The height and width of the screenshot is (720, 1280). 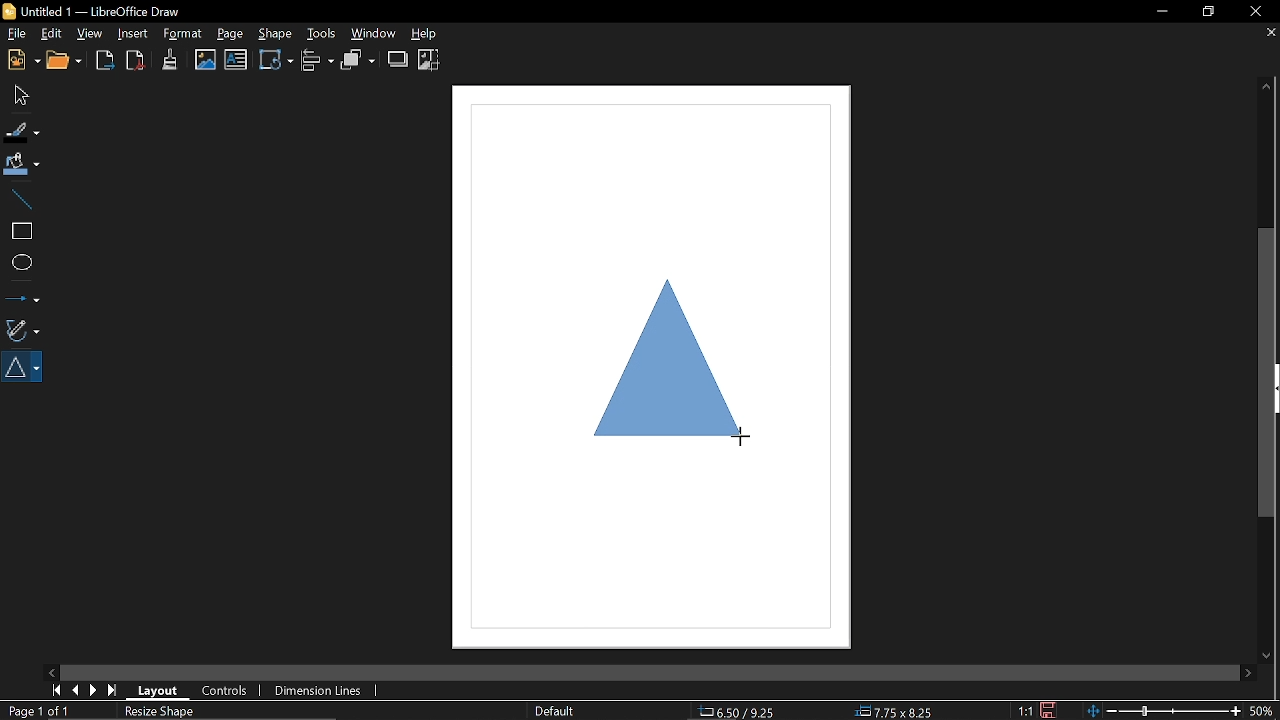 I want to click on Layout, so click(x=155, y=689).